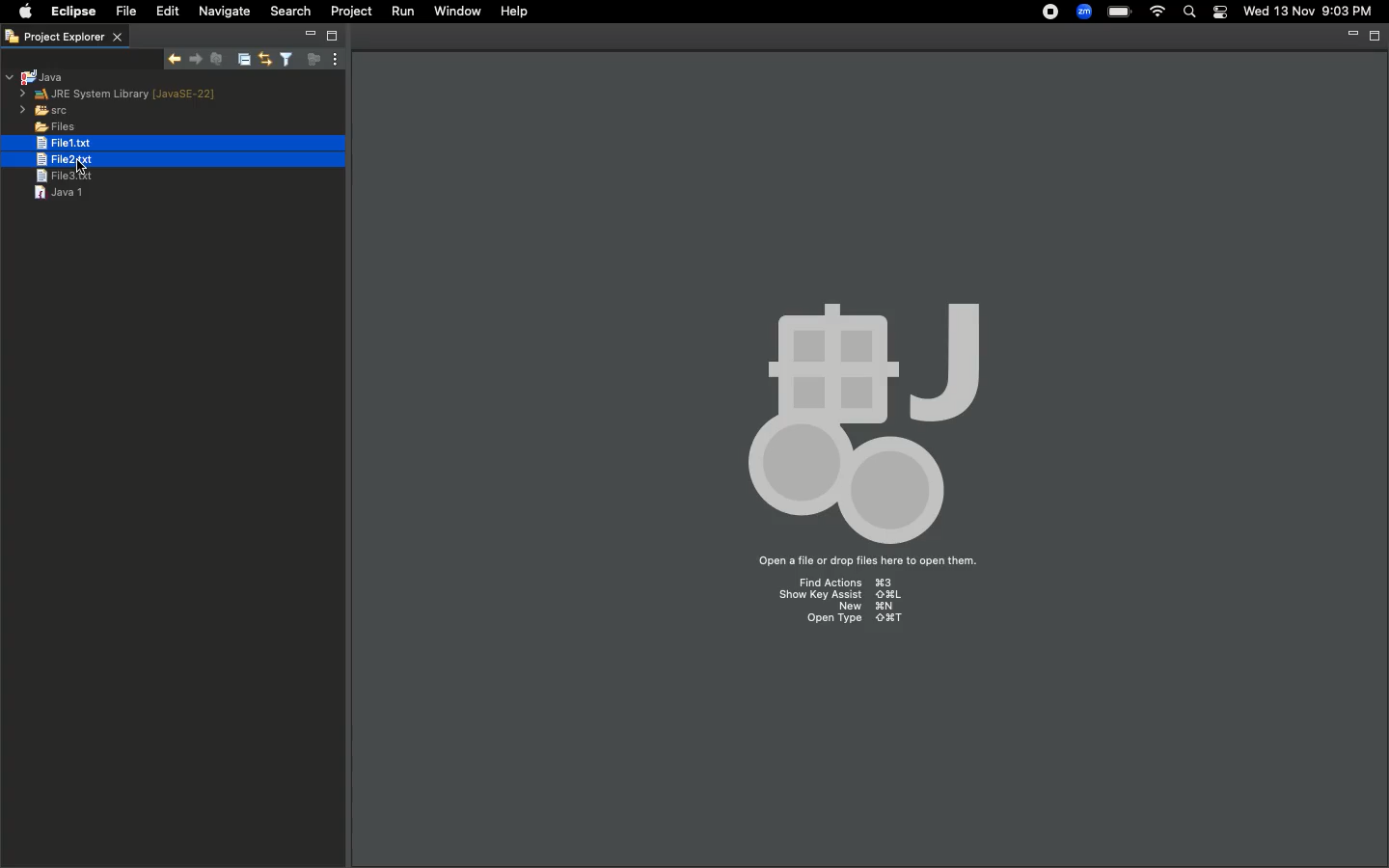 The image size is (1389, 868). What do you see at coordinates (1158, 12) in the screenshot?
I see `Internet` at bounding box center [1158, 12].